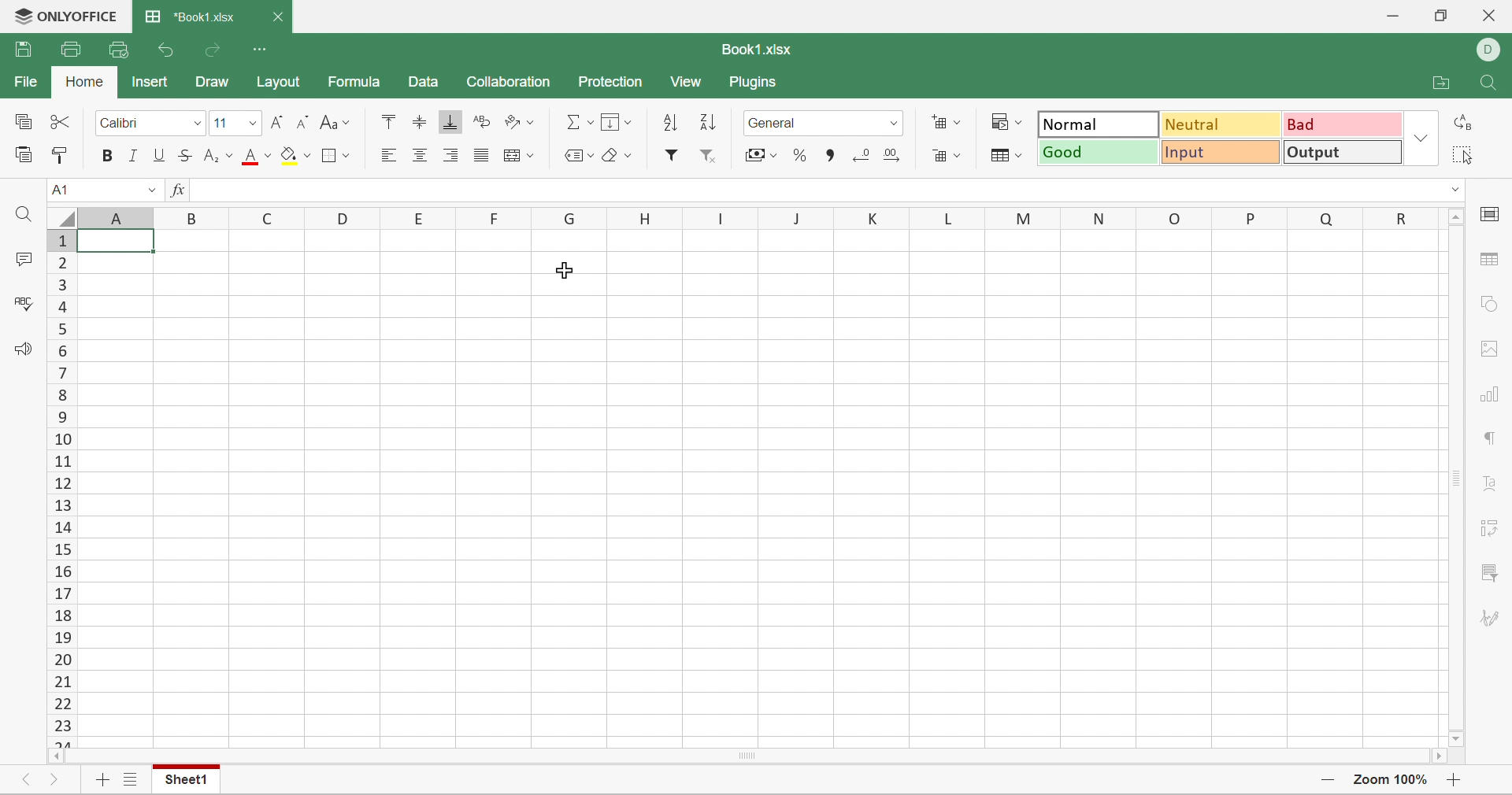 Image resolution: width=1512 pixels, height=795 pixels. I want to click on Find, so click(22, 216).